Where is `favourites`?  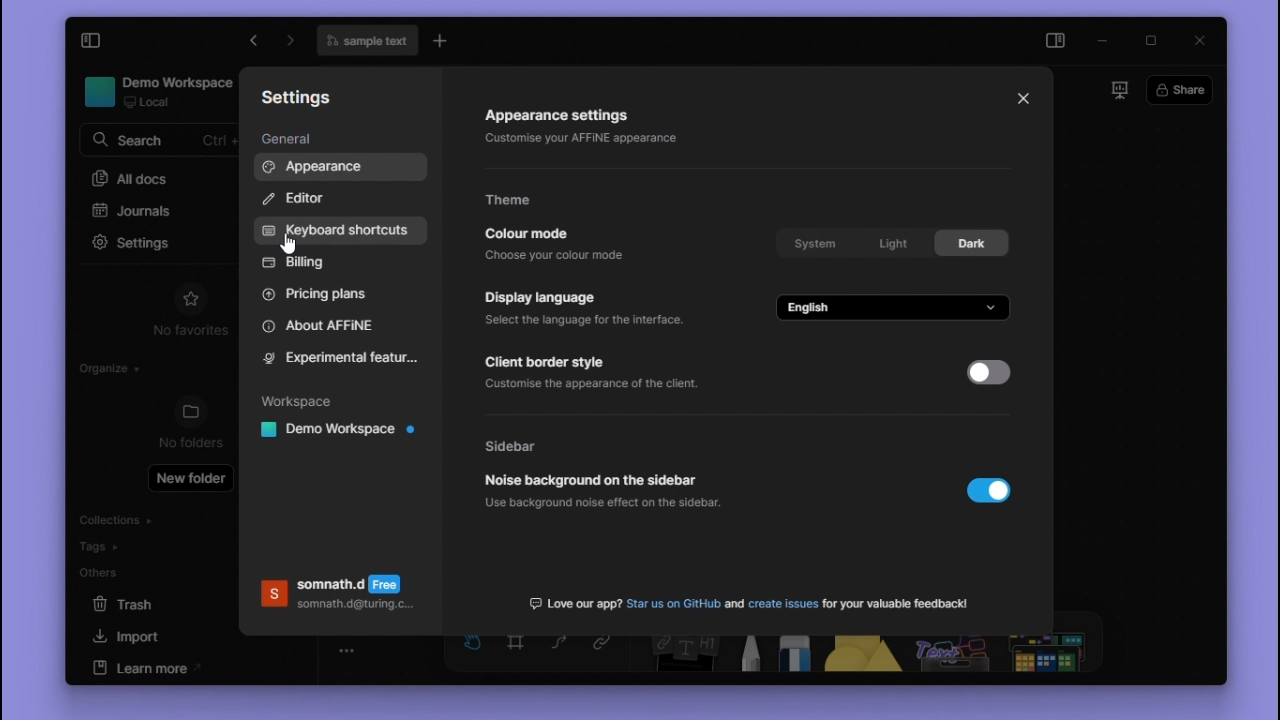
favourites is located at coordinates (190, 297).